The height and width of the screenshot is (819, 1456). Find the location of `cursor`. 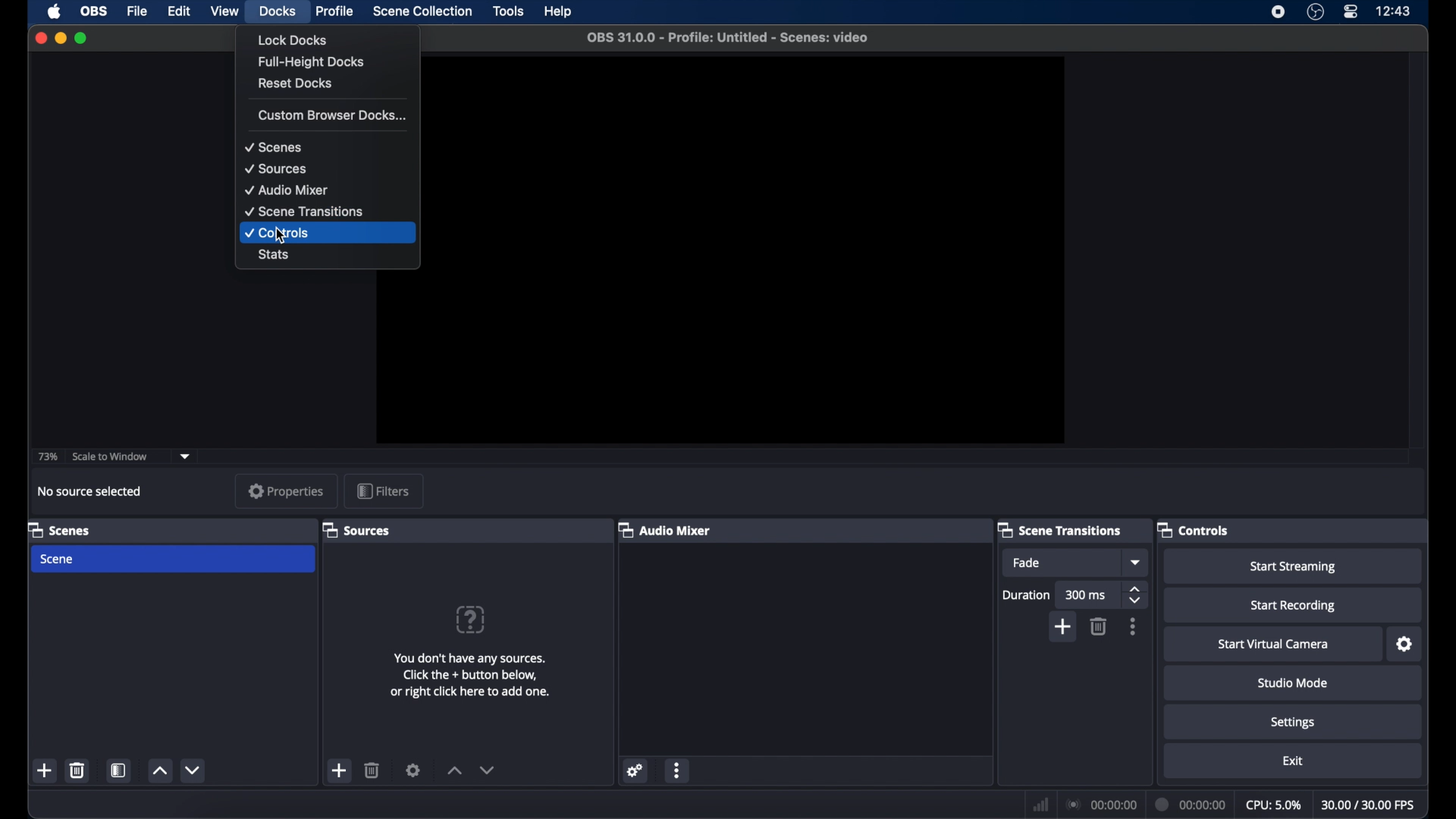

cursor is located at coordinates (281, 236).